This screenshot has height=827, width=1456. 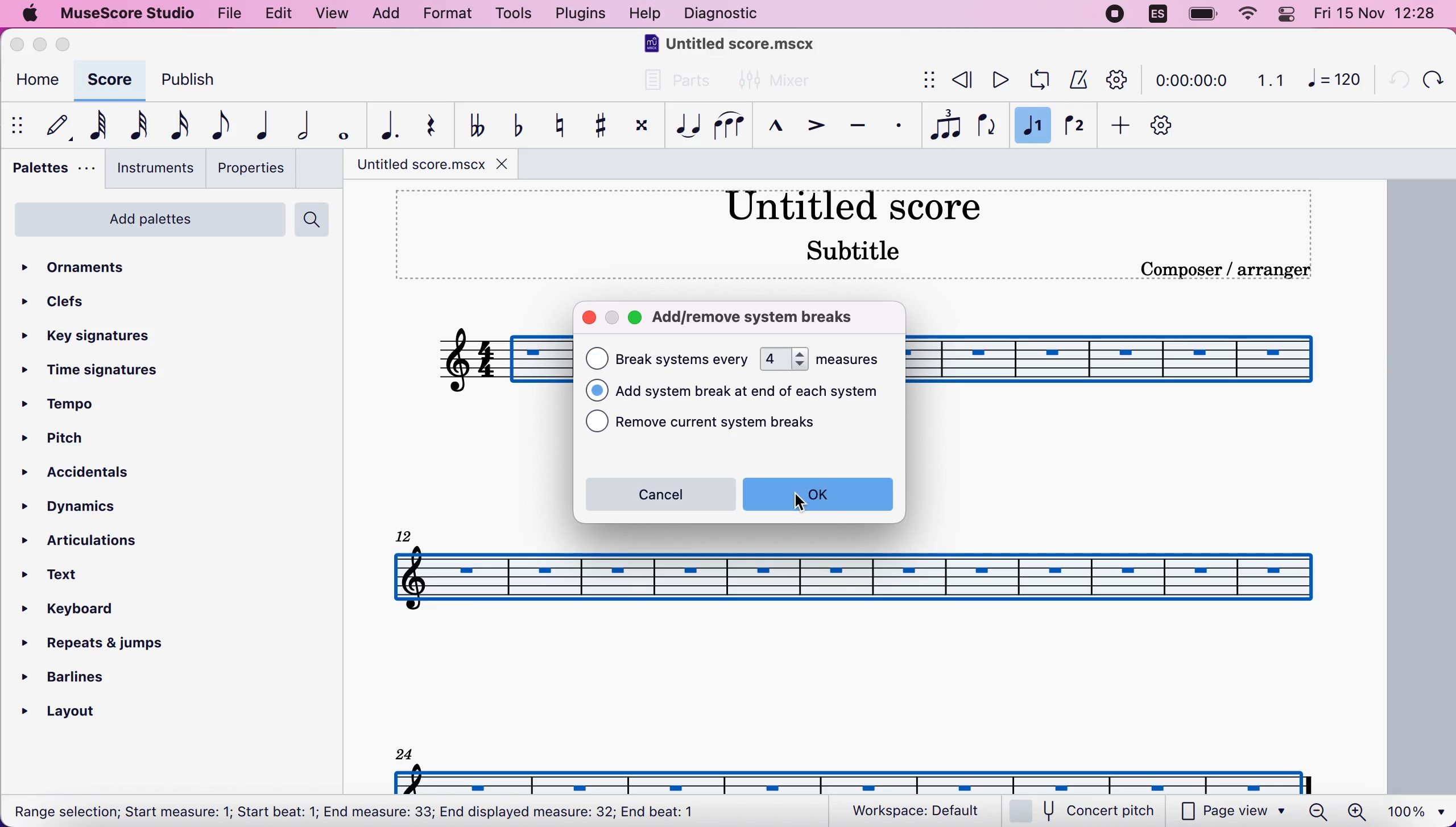 I want to click on page view, so click(x=1233, y=812).